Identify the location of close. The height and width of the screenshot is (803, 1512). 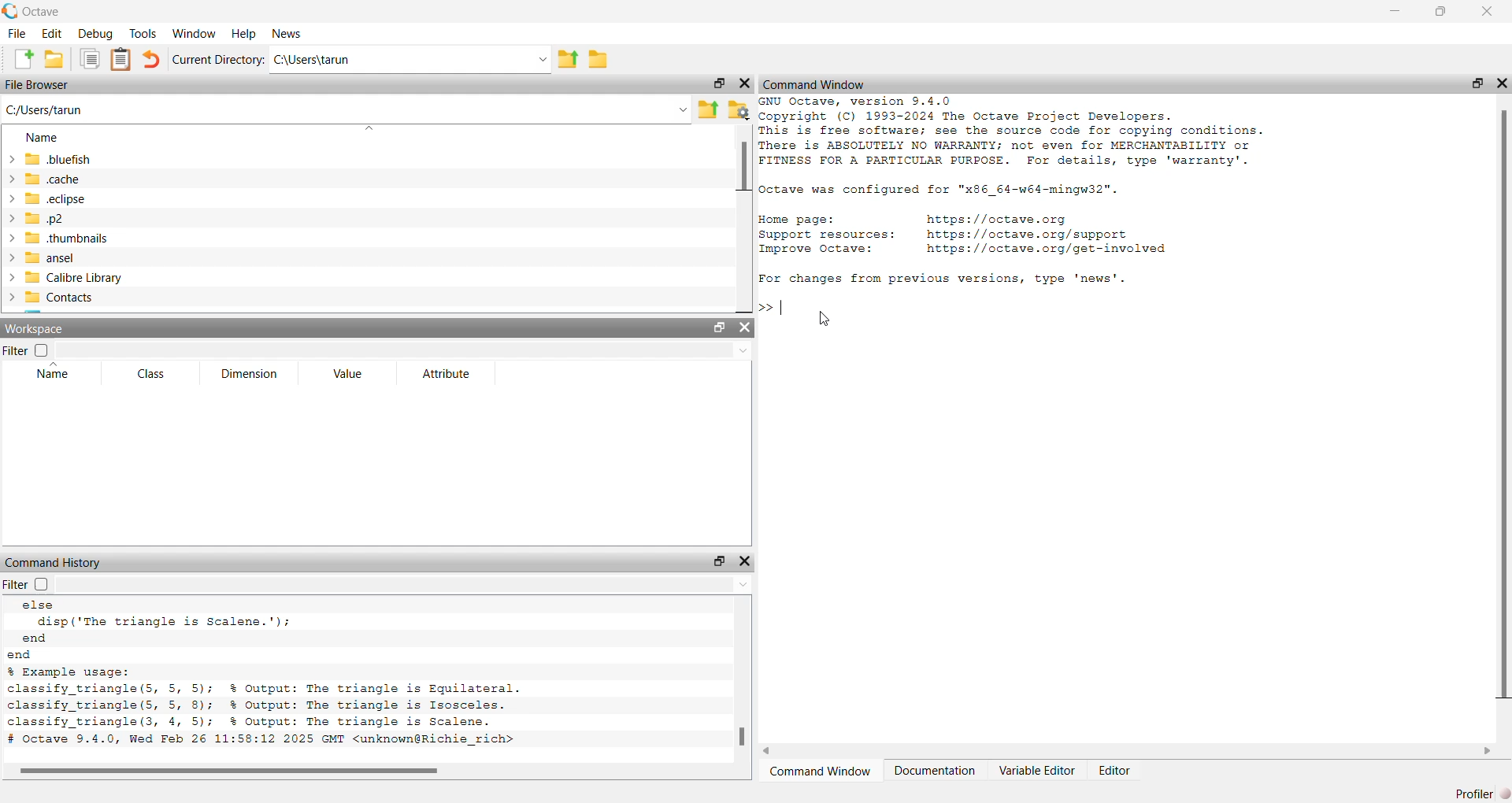
(1489, 11).